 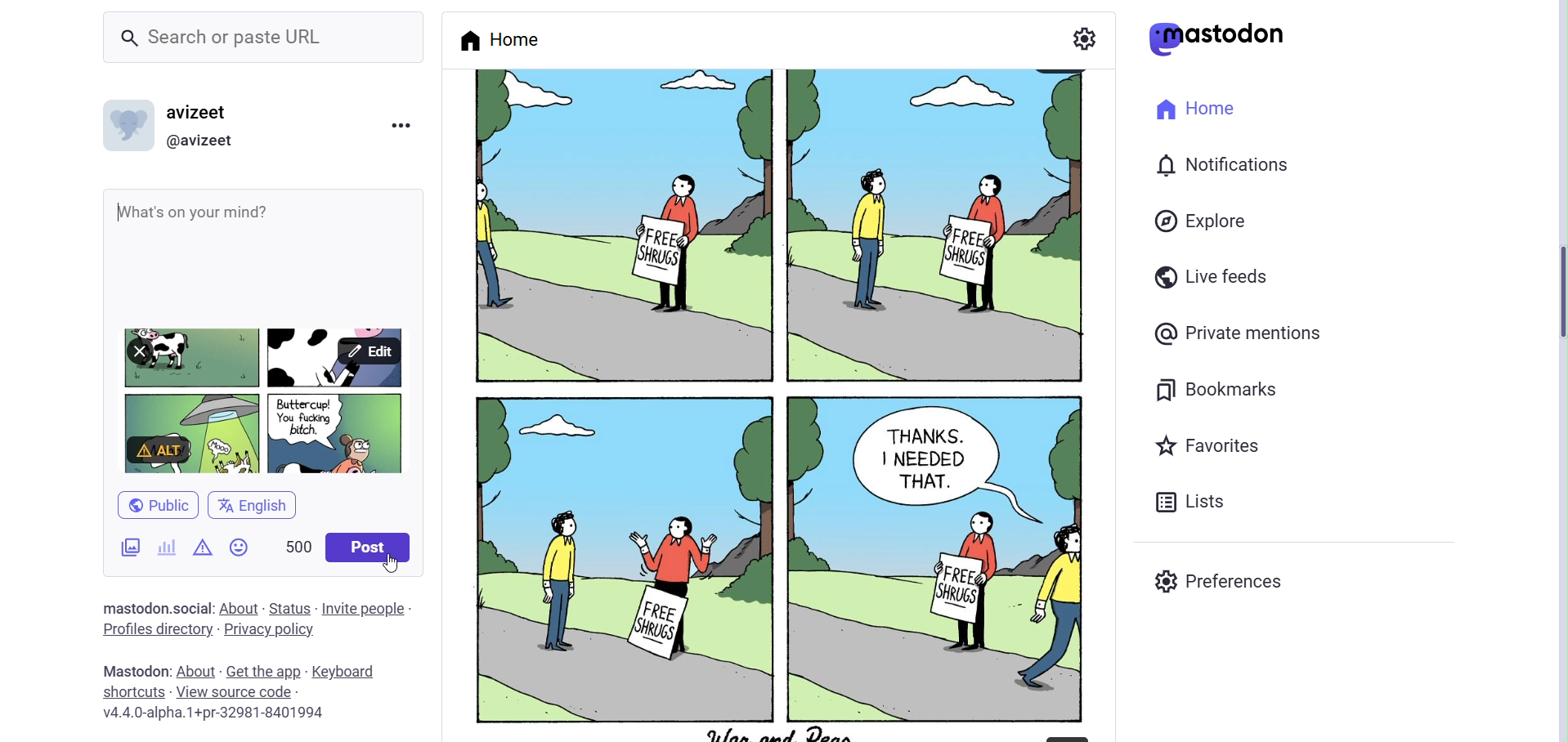 What do you see at coordinates (155, 628) in the screenshot?
I see `Profile Directory` at bounding box center [155, 628].